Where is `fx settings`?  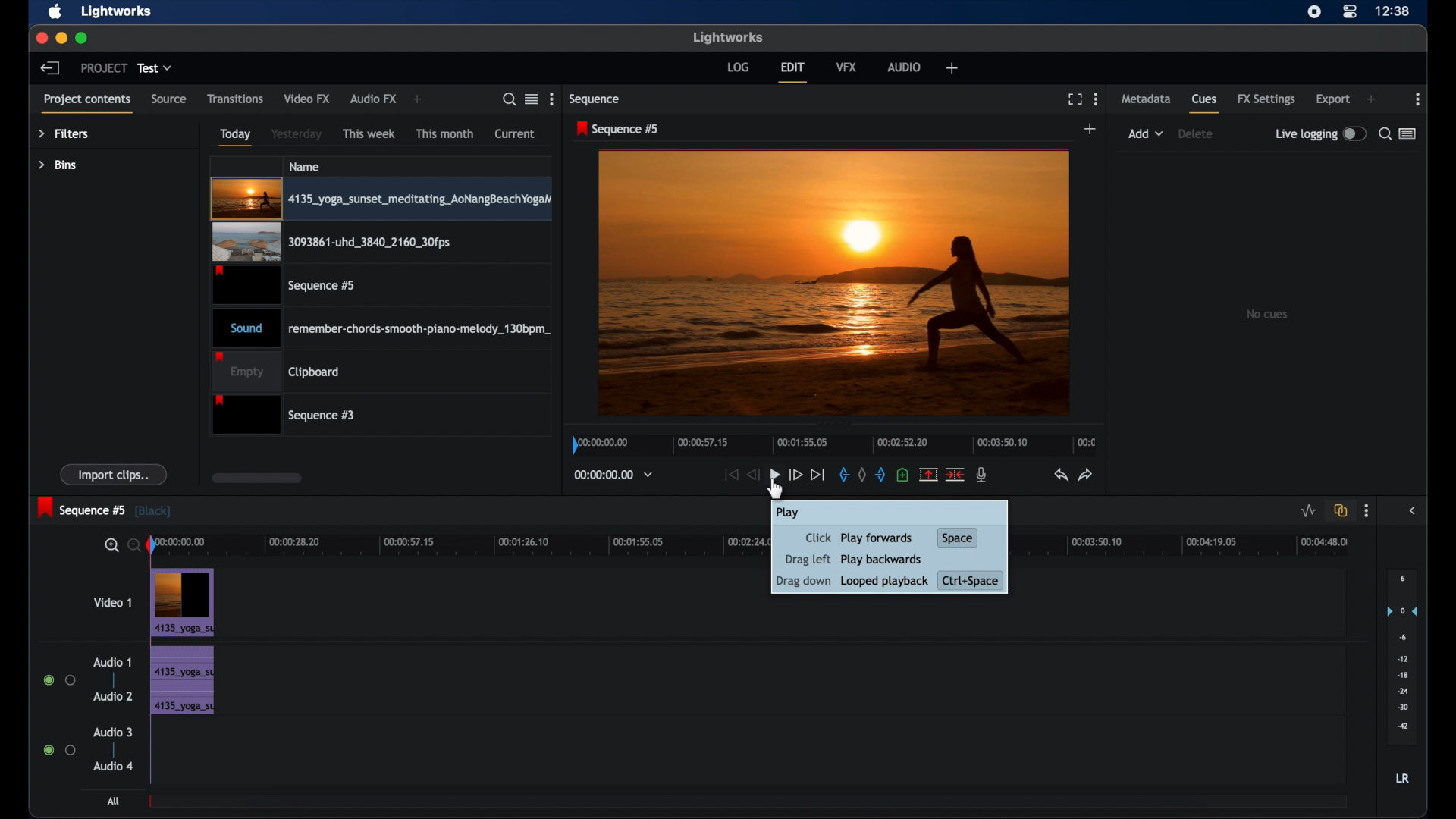
fx settings is located at coordinates (1266, 99).